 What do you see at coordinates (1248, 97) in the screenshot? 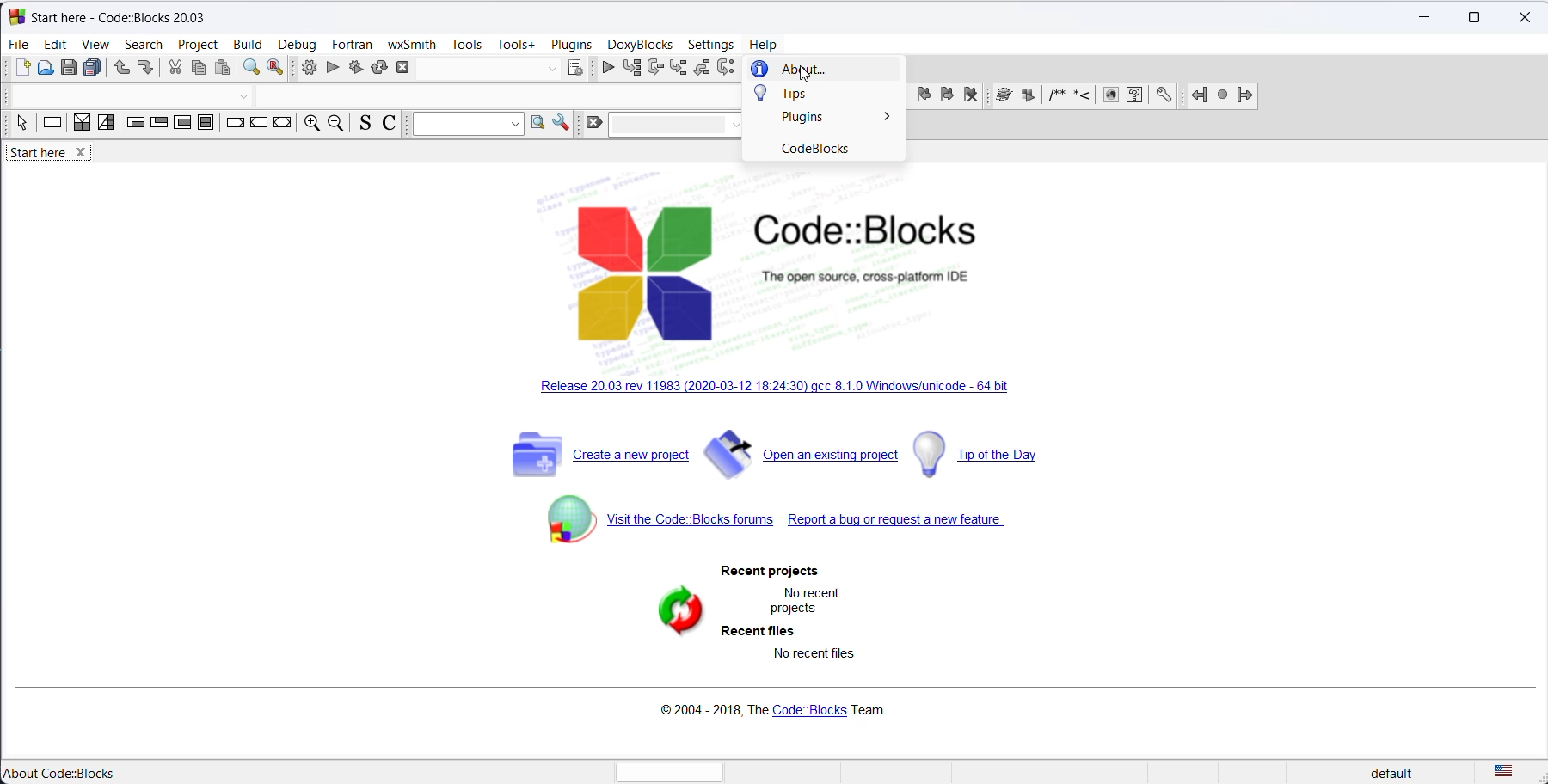
I see `jump forward` at bounding box center [1248, 97].